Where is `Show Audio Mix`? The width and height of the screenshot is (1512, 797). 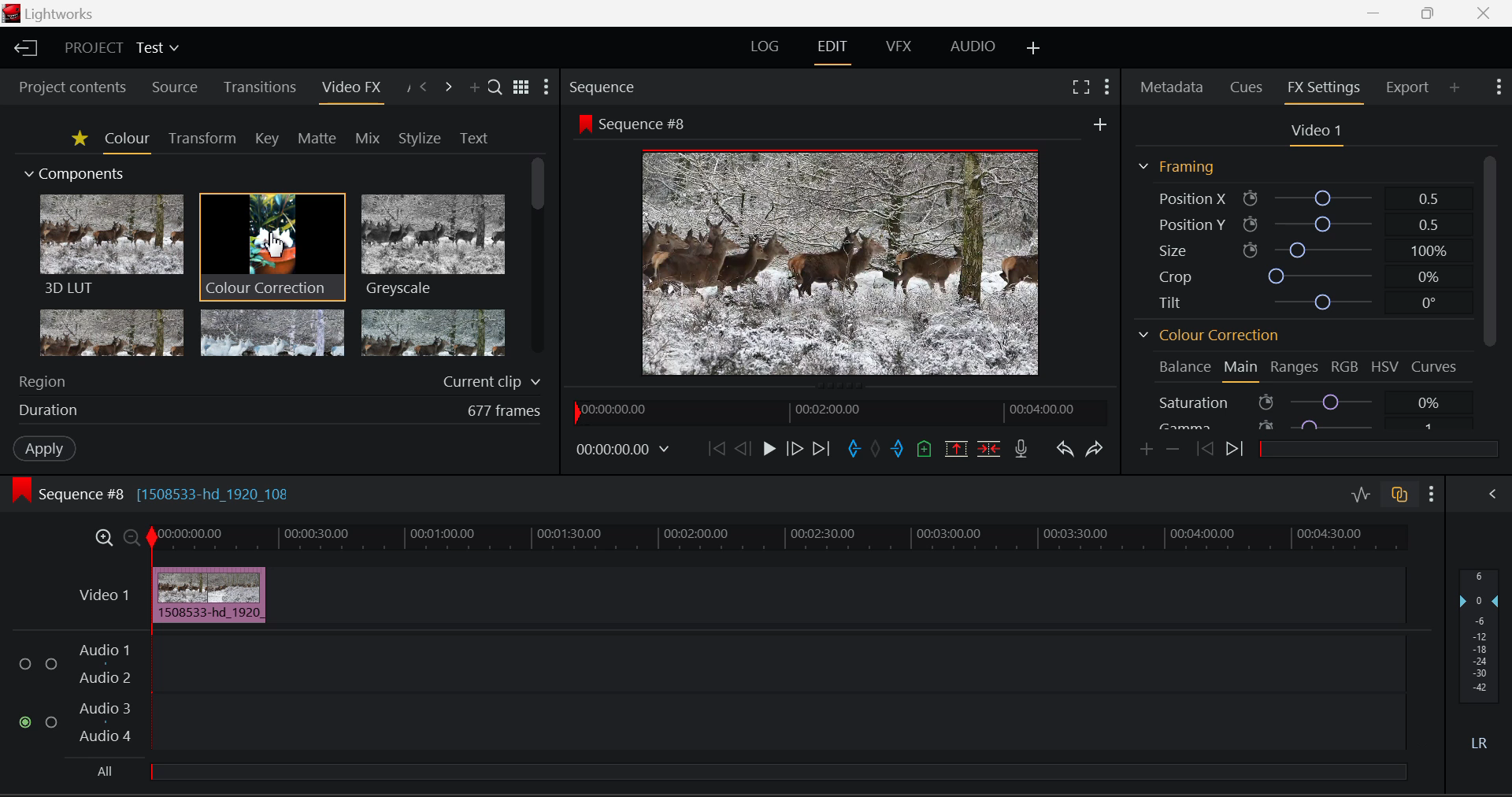 Show Audio Mix is located at coordinates (1492, 494).